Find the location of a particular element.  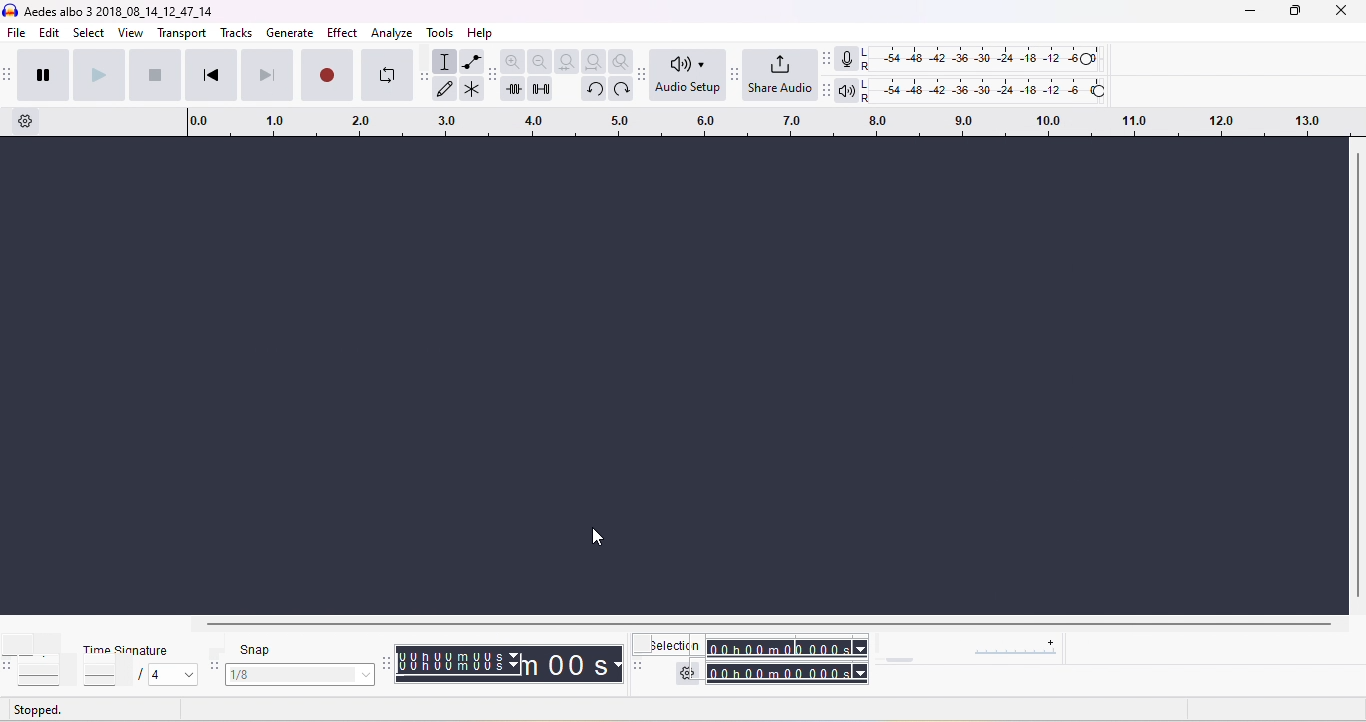

playback meter is located at coordinates (849, 91).